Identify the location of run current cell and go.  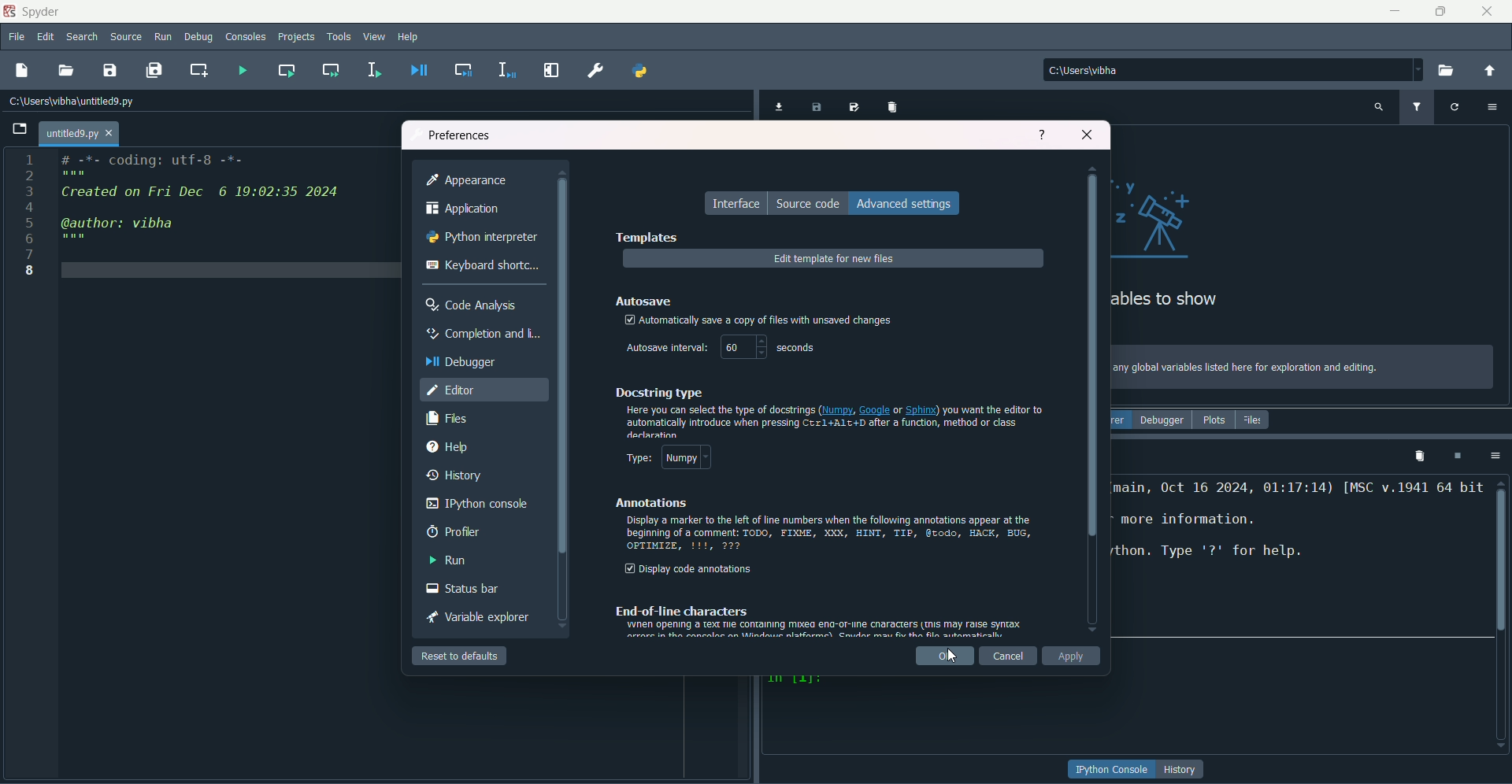
(330, 69).